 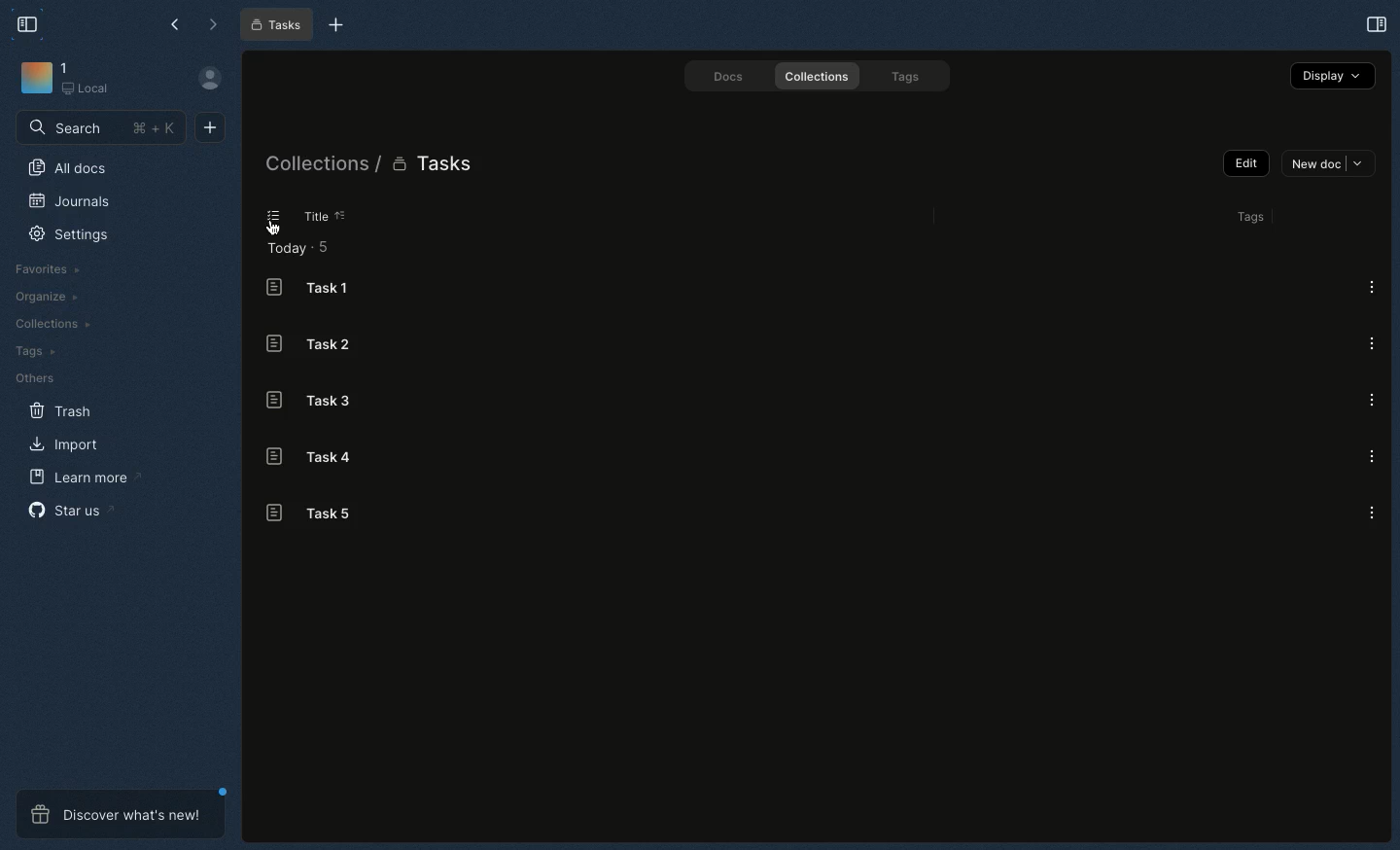 I want to click on 5 items, so click(x=328, y=246).